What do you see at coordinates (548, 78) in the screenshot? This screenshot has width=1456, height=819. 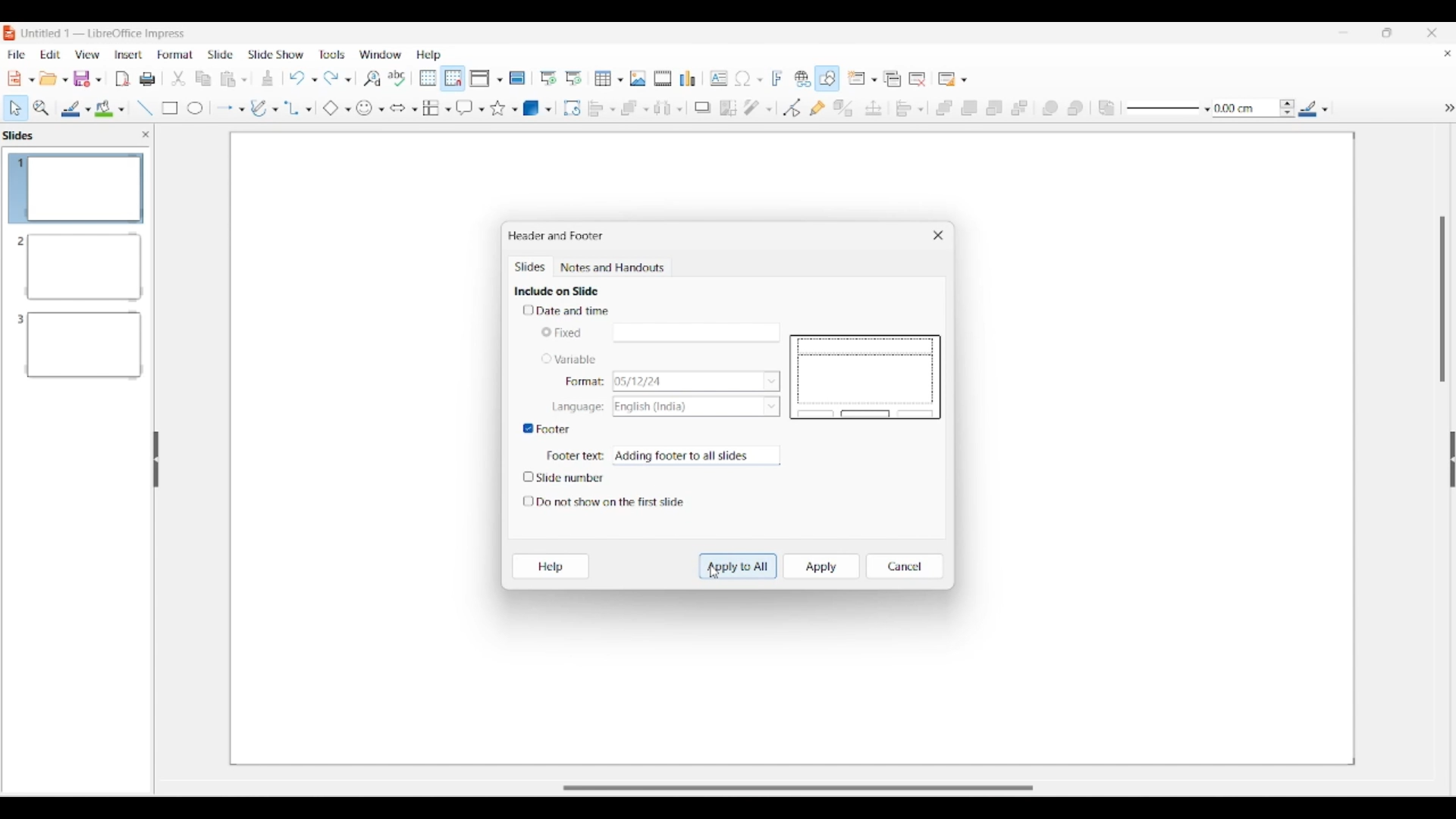 I see `Start from first slide` at bounding box center [548, 78].